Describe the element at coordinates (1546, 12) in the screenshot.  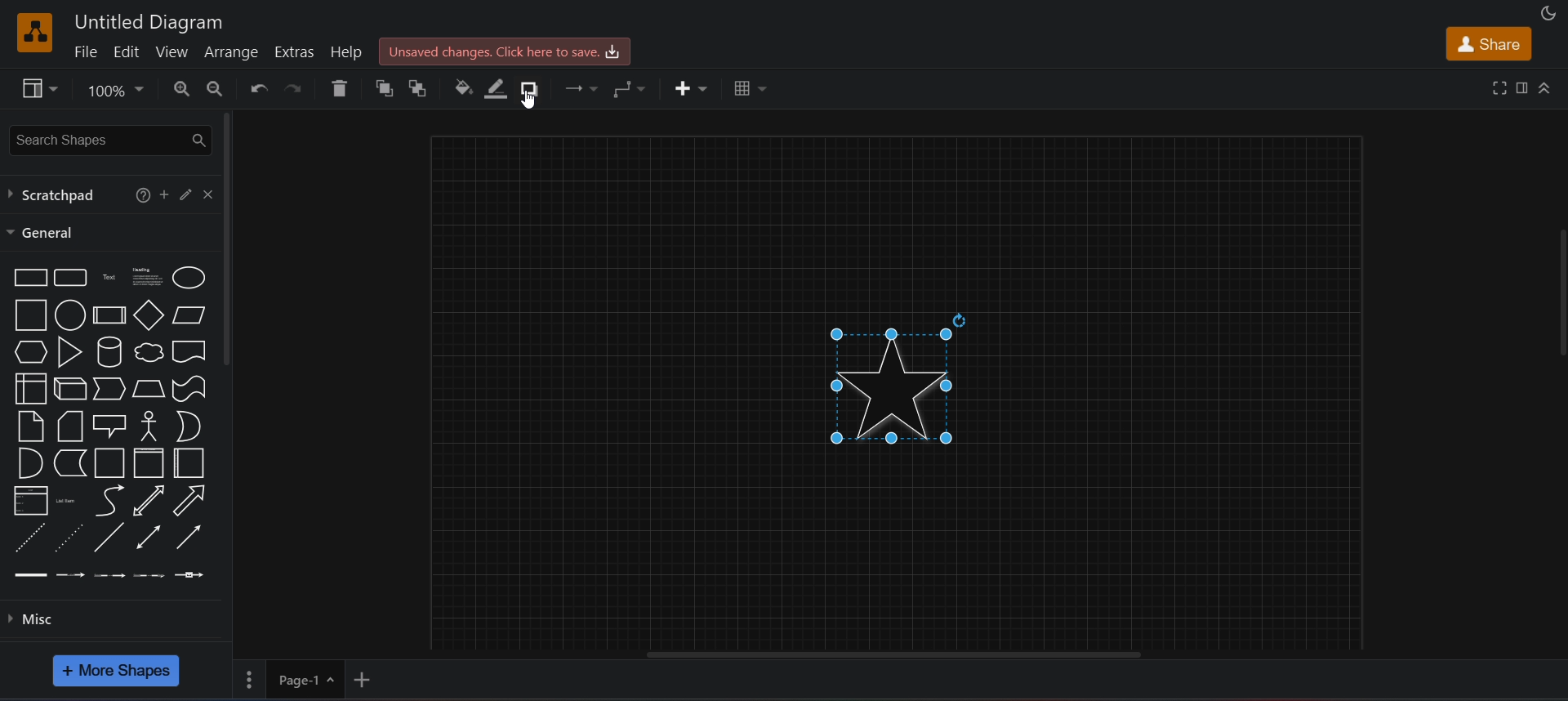
I see `appearance` at that location.